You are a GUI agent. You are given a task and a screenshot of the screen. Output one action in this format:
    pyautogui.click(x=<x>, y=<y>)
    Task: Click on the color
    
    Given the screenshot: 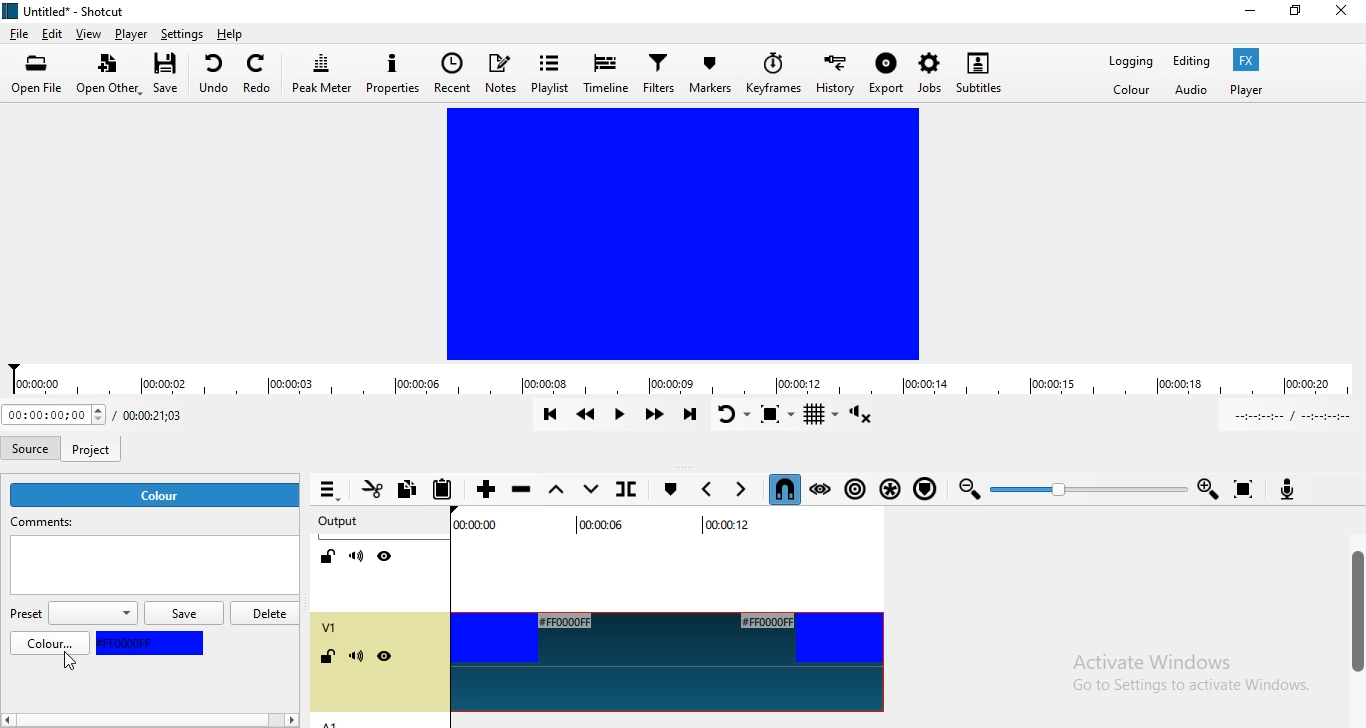 What is the action you would take?
    pyautogui.click(x=157, y=495)
    